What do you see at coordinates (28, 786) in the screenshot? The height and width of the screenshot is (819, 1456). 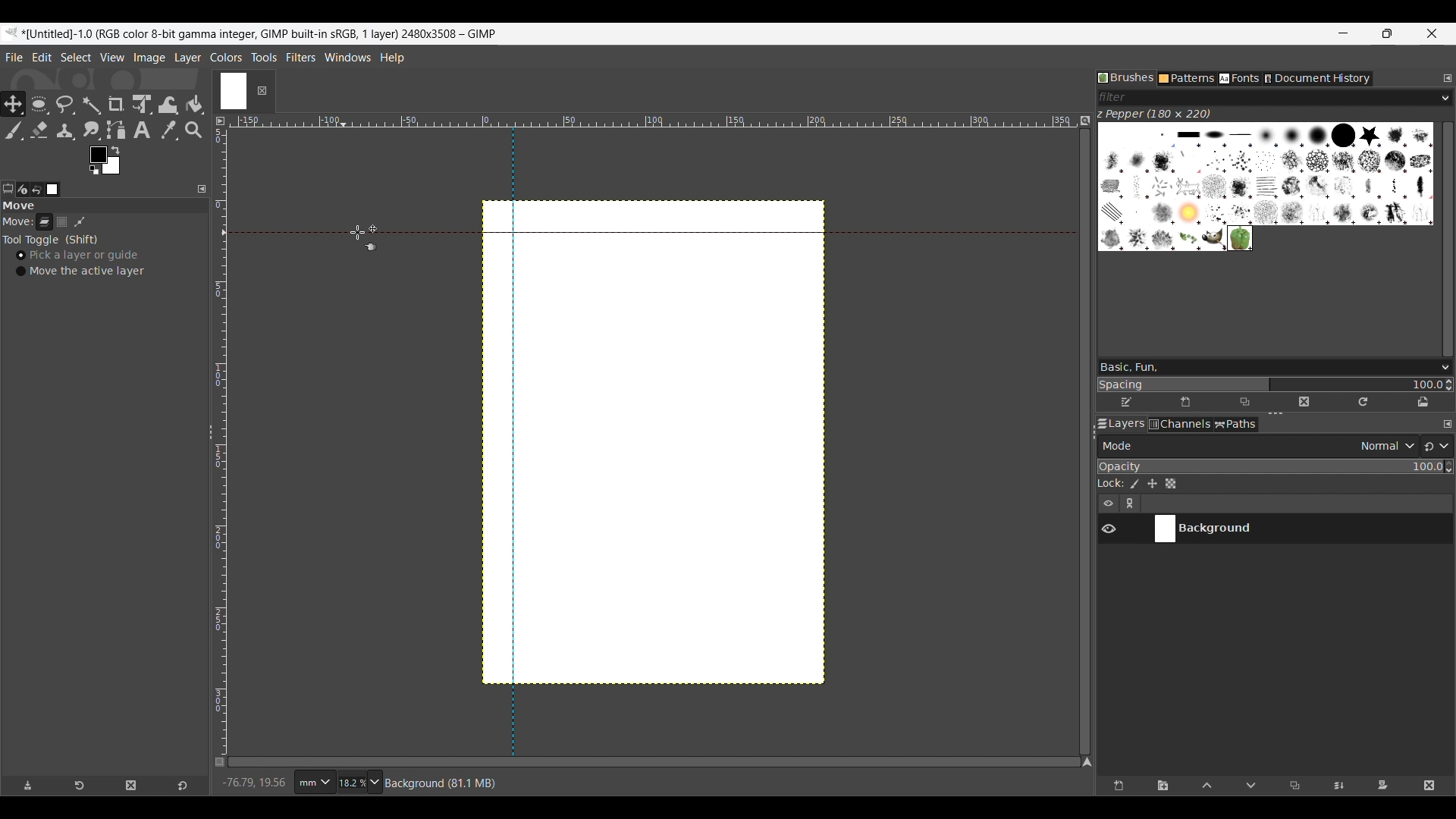 I see `Save tool preset` at bounding box center [28, 786].